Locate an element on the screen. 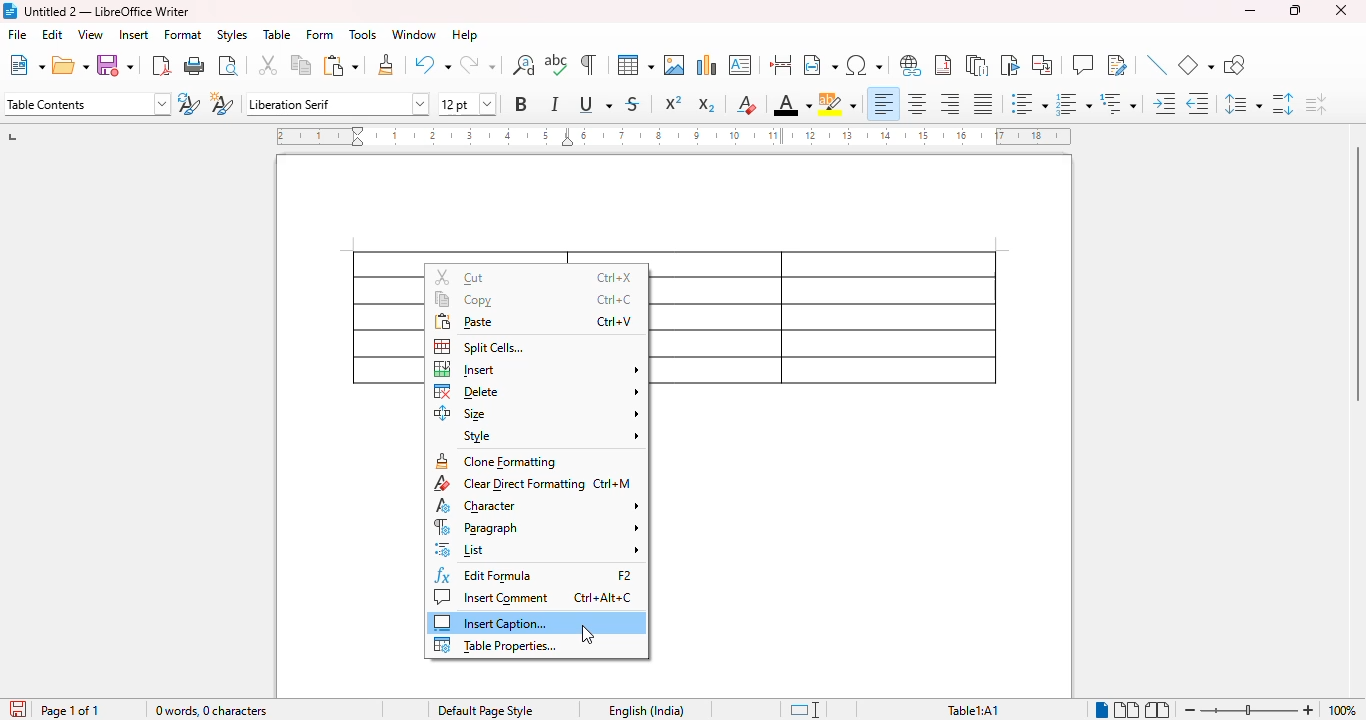  edit is located at coordinates (54, 34).